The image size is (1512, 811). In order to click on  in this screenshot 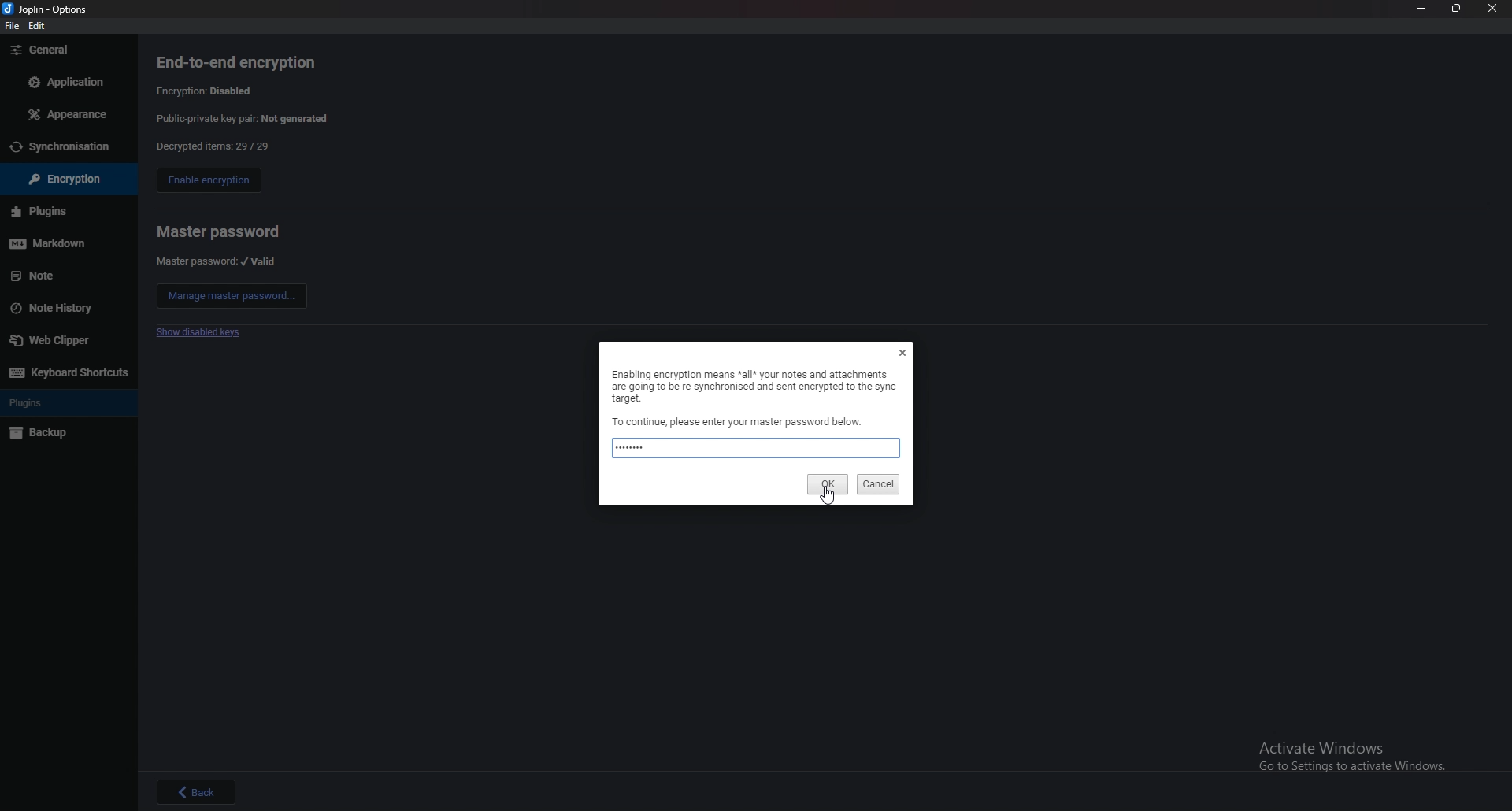, I will do `click(50, 9)`.